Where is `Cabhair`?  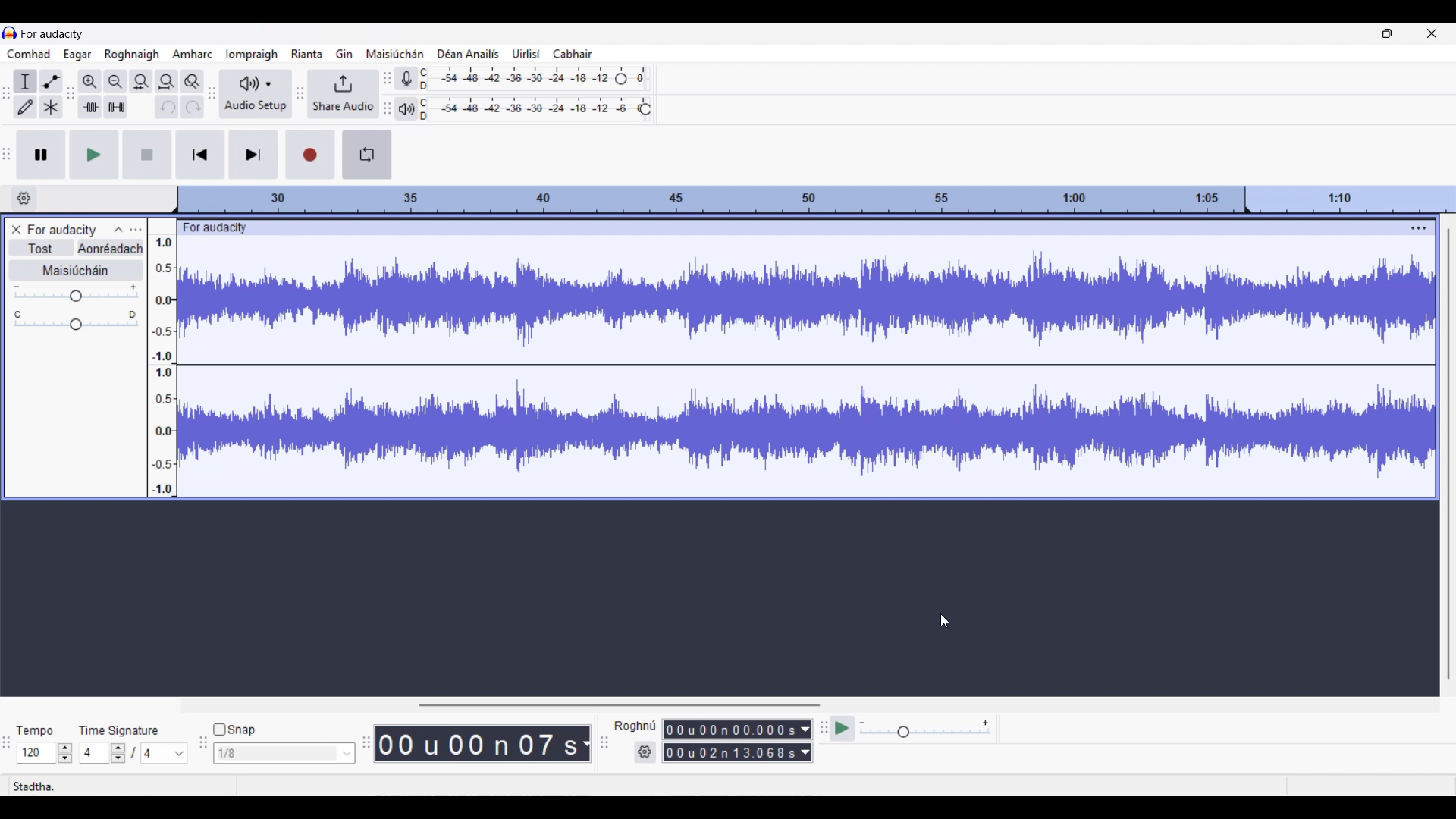
Cabhair is located at coordinates (572, 53).